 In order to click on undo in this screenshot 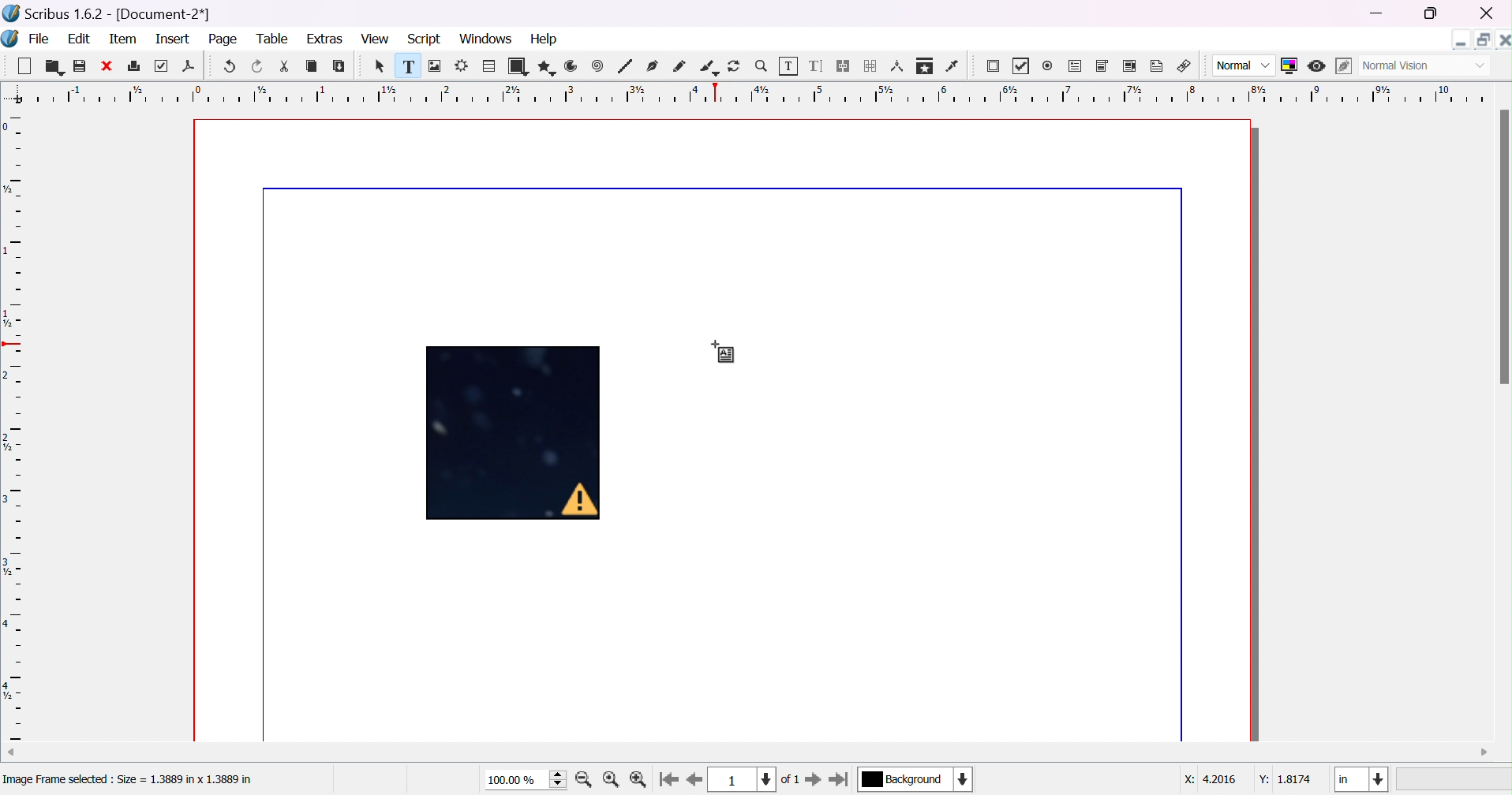, I will do `click(232, 67)`.